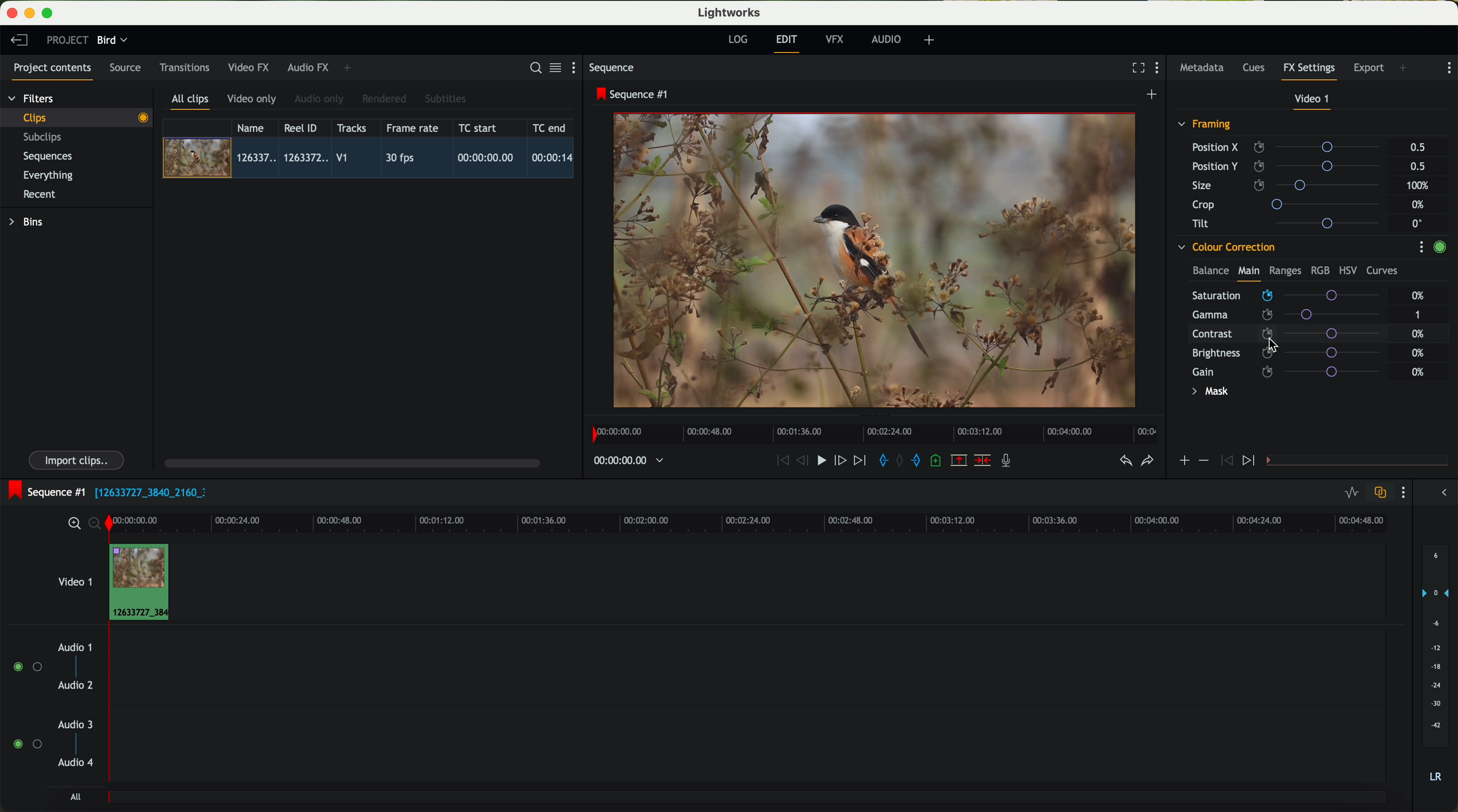 This screenshot has width=1458, height=812. Describe the element at coordinates (532, 68) in the screenshot. I see `search for assets or bins` at that location.